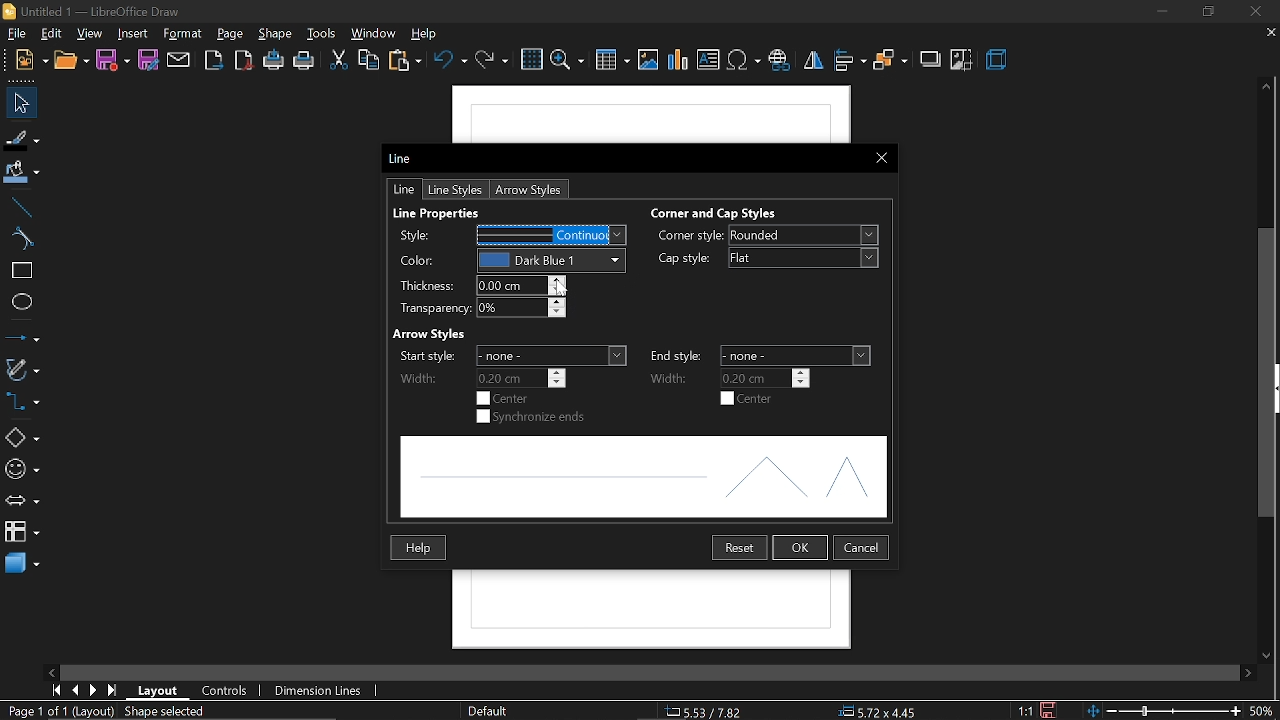 The height and width of the screenshot is (720, 1280). What do you see at coordinates (427, 333) in the screenshot?
I see `Arrow Styles` at bounding box center [427, 333].